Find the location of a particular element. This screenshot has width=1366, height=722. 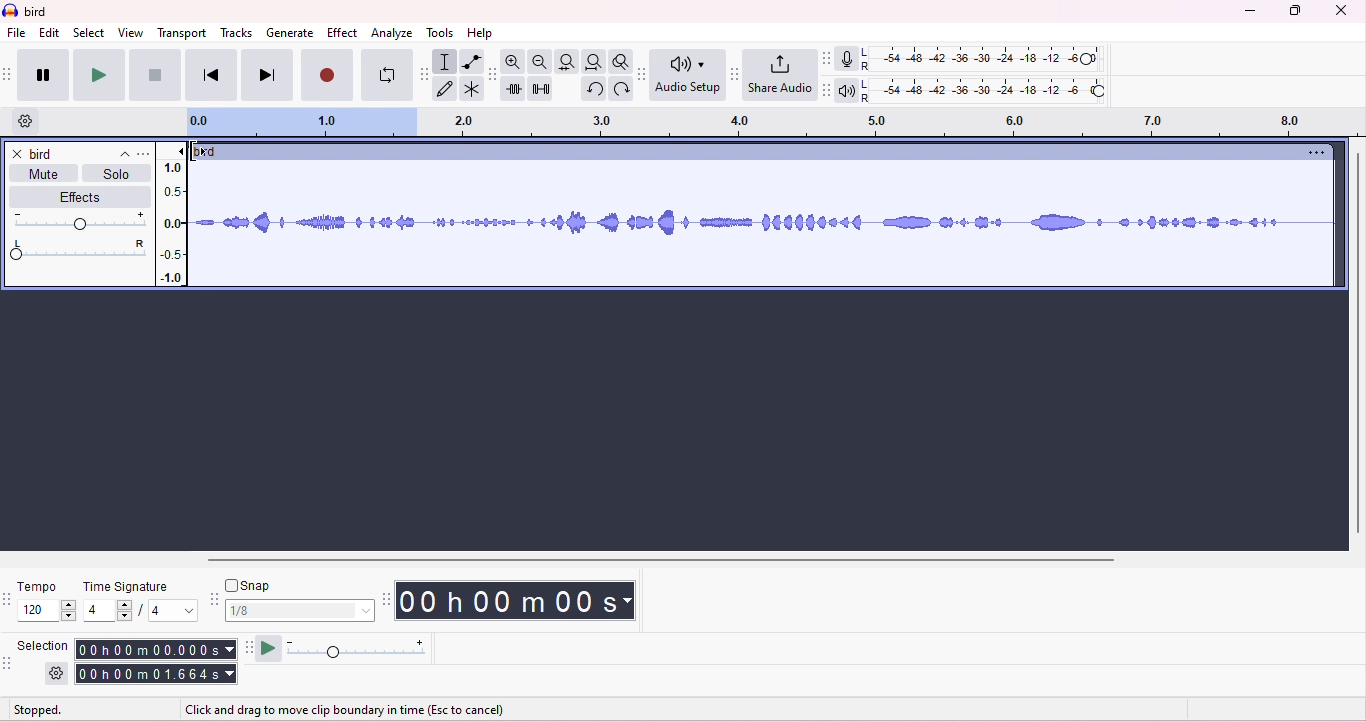

selection time is located at coordinates (154, 649).